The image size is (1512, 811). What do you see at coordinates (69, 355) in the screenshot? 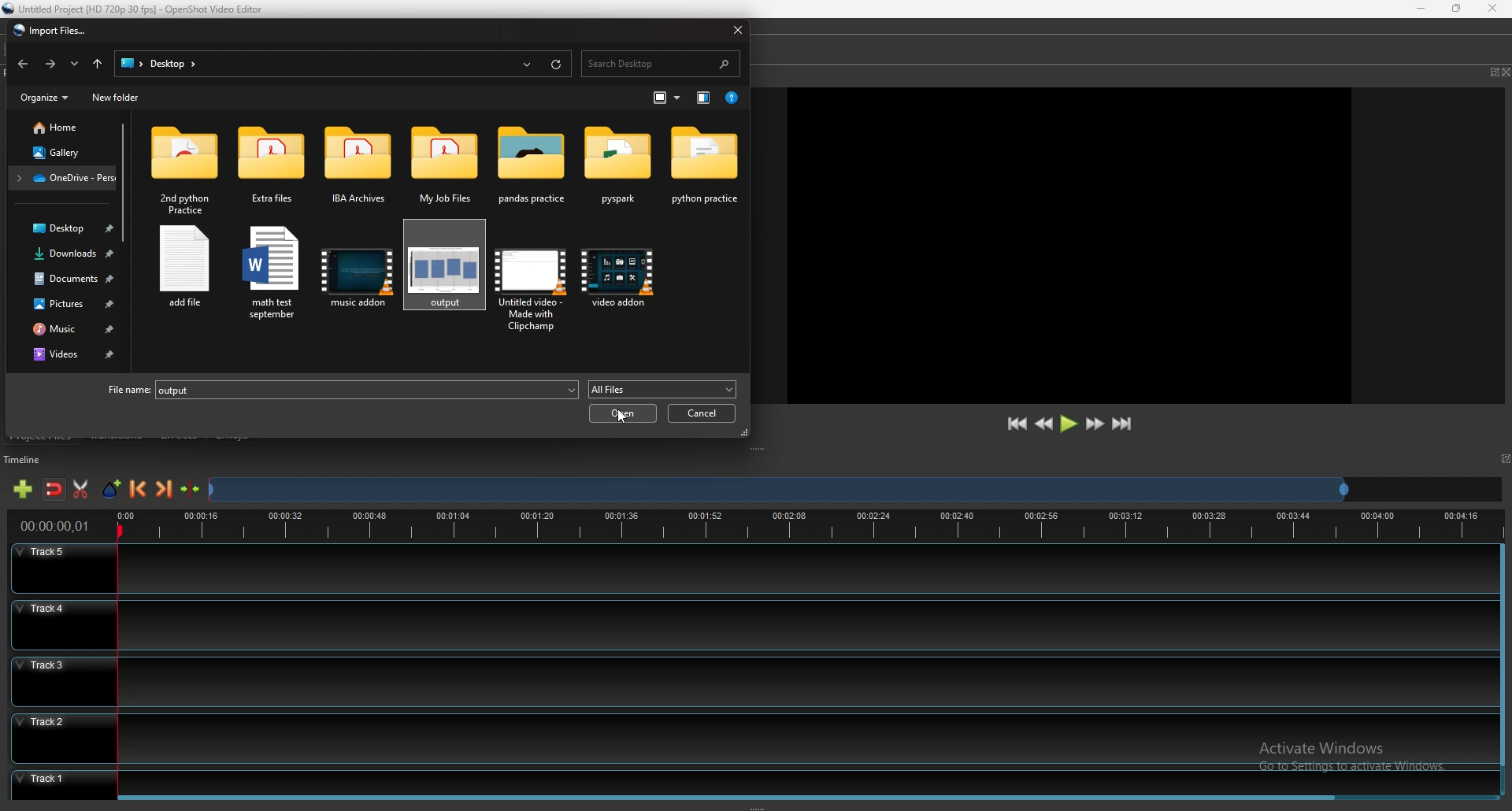
I see `videos` at bounding box center [69, 355].